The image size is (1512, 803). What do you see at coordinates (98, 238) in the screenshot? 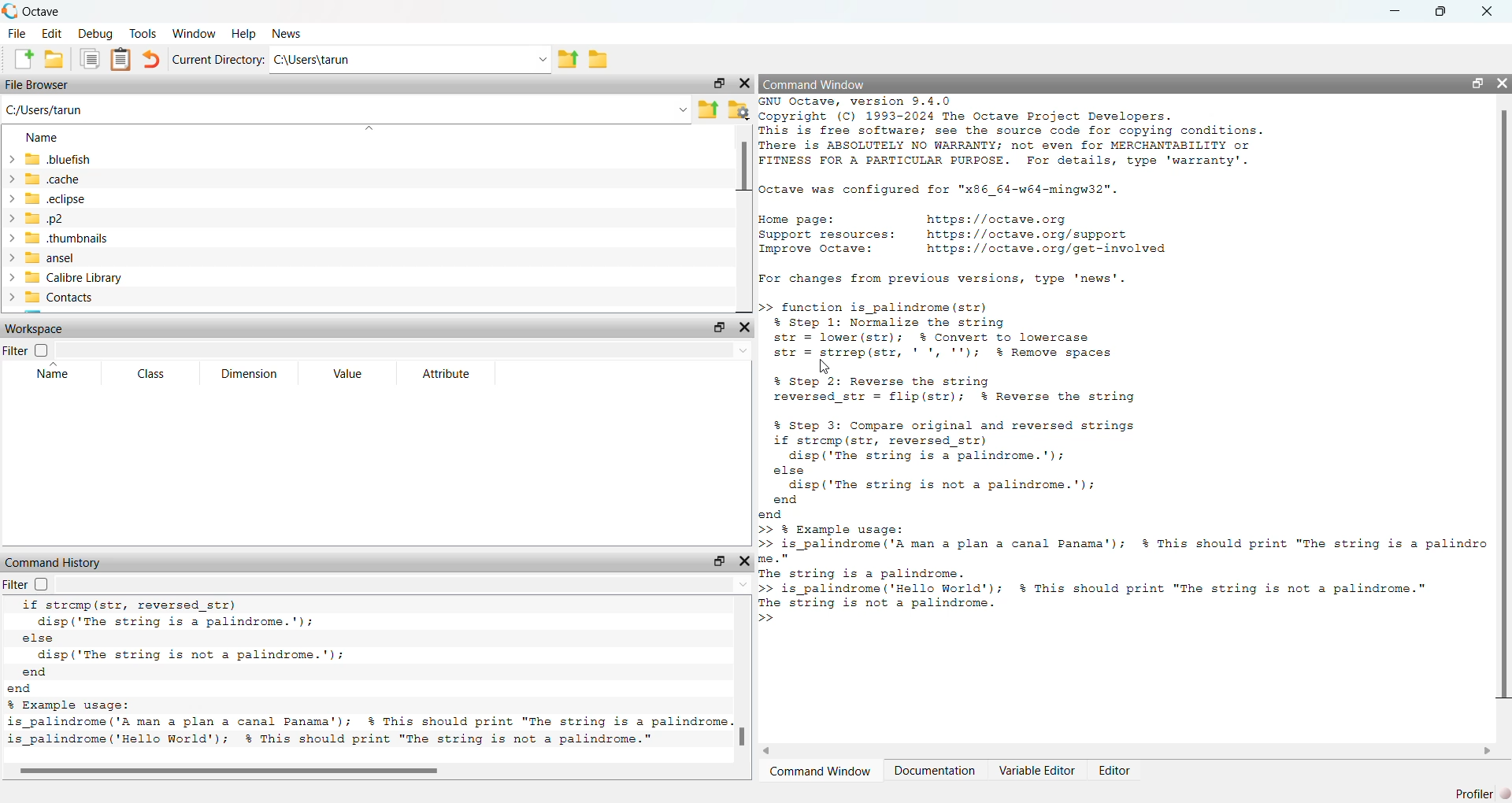
I see `.thumbnails` at bounding box center [98, 238].